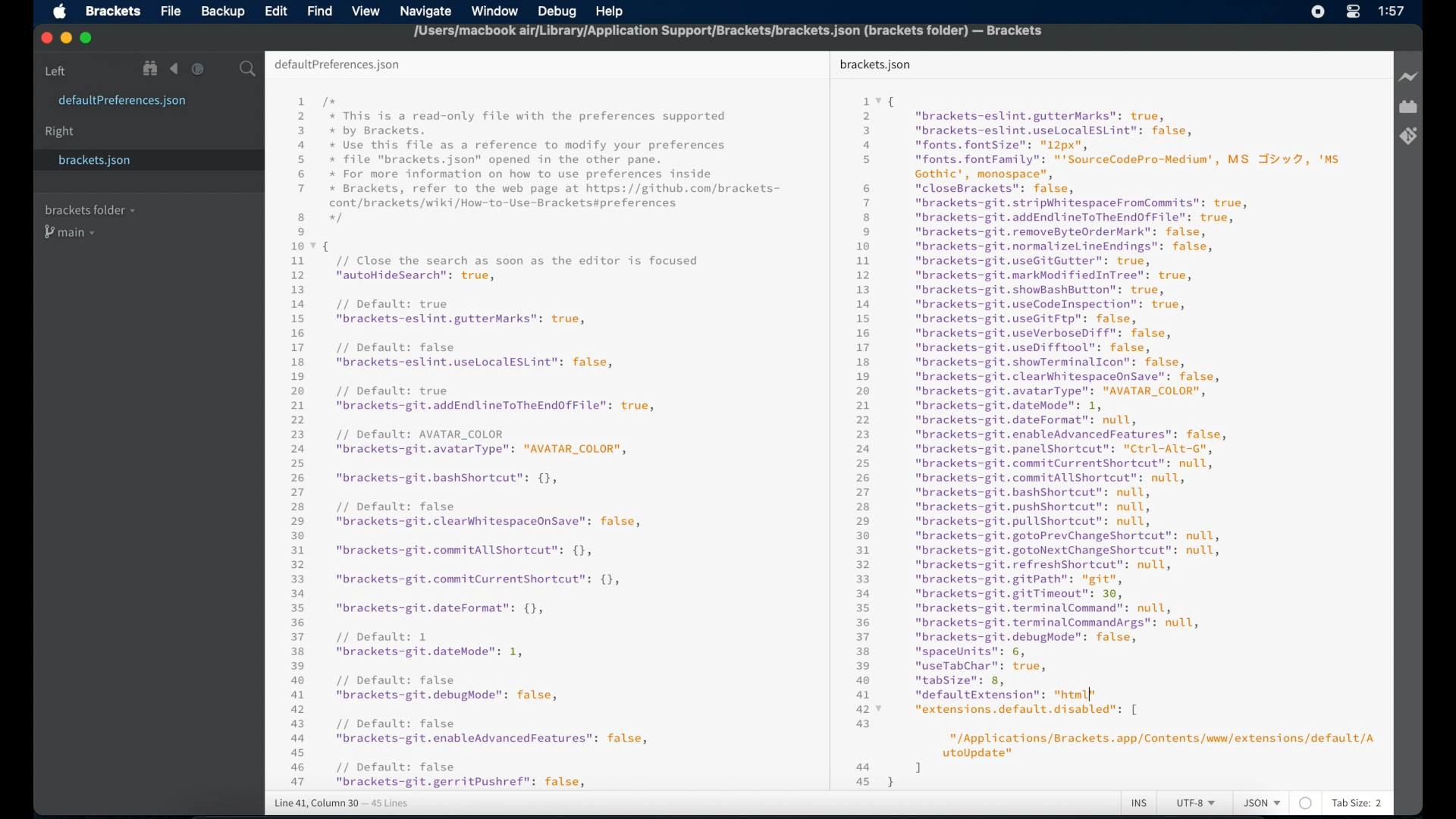  What do you see at coordinates (89, 209) in the screenshot?
I see `brackets folder` at bounding box center [89, 209].